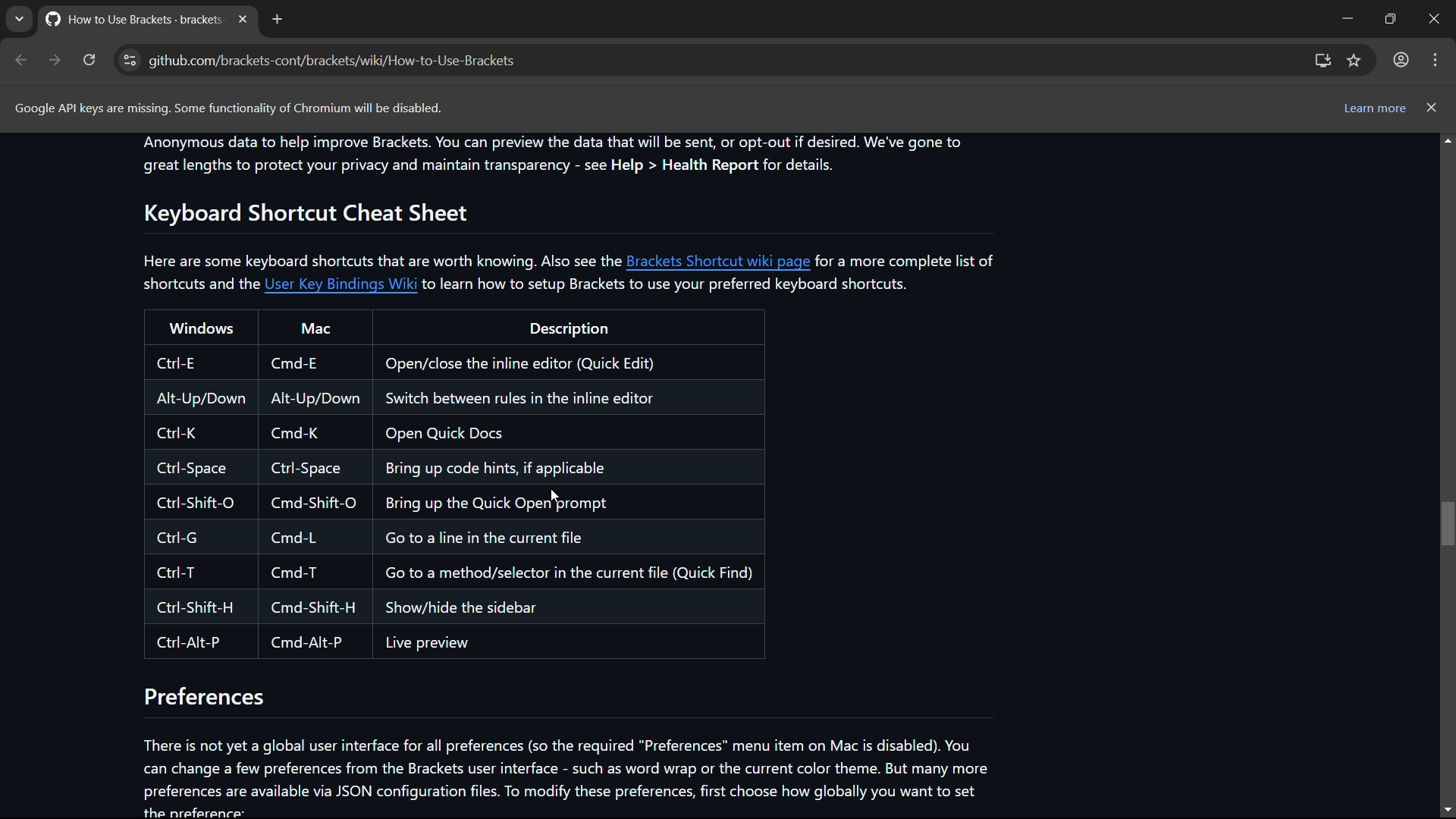  I want to click on minimize, so click(1344, 17).